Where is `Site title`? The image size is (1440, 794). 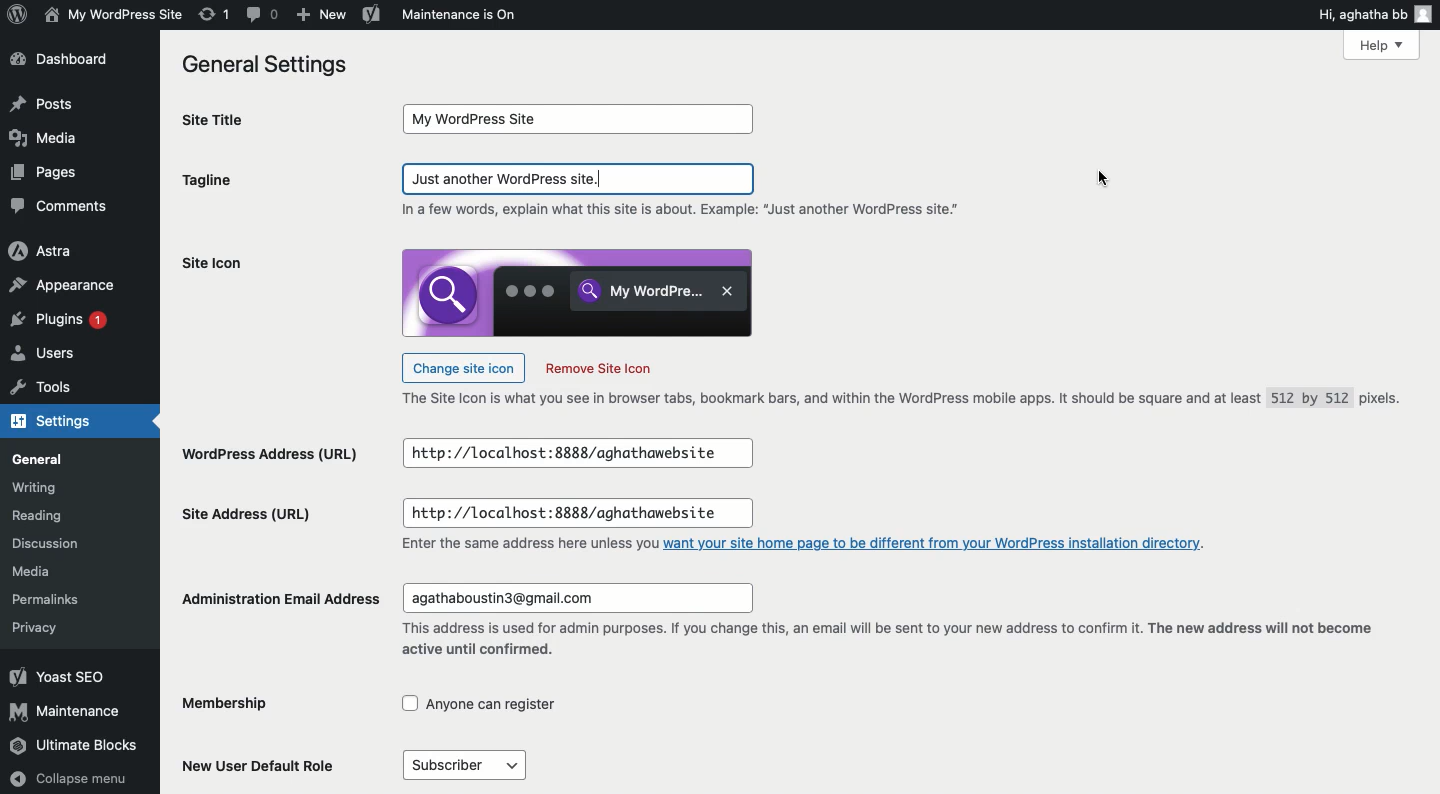
Site title is located at coordinates (236, 120).